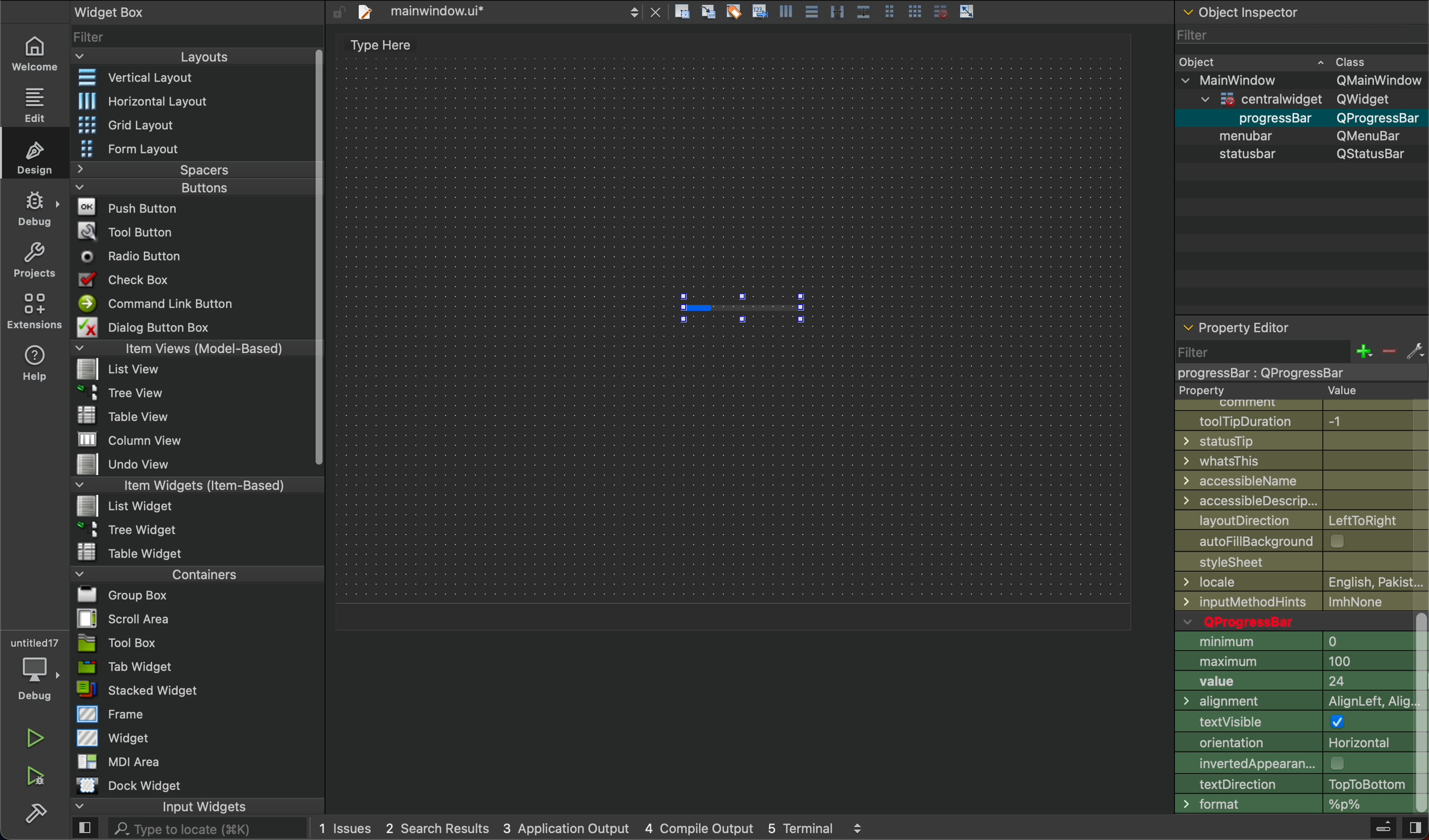  What do you see at coordinates (35, 310) in the screenshot?
I see `extension` at bounding box center [35, 310].